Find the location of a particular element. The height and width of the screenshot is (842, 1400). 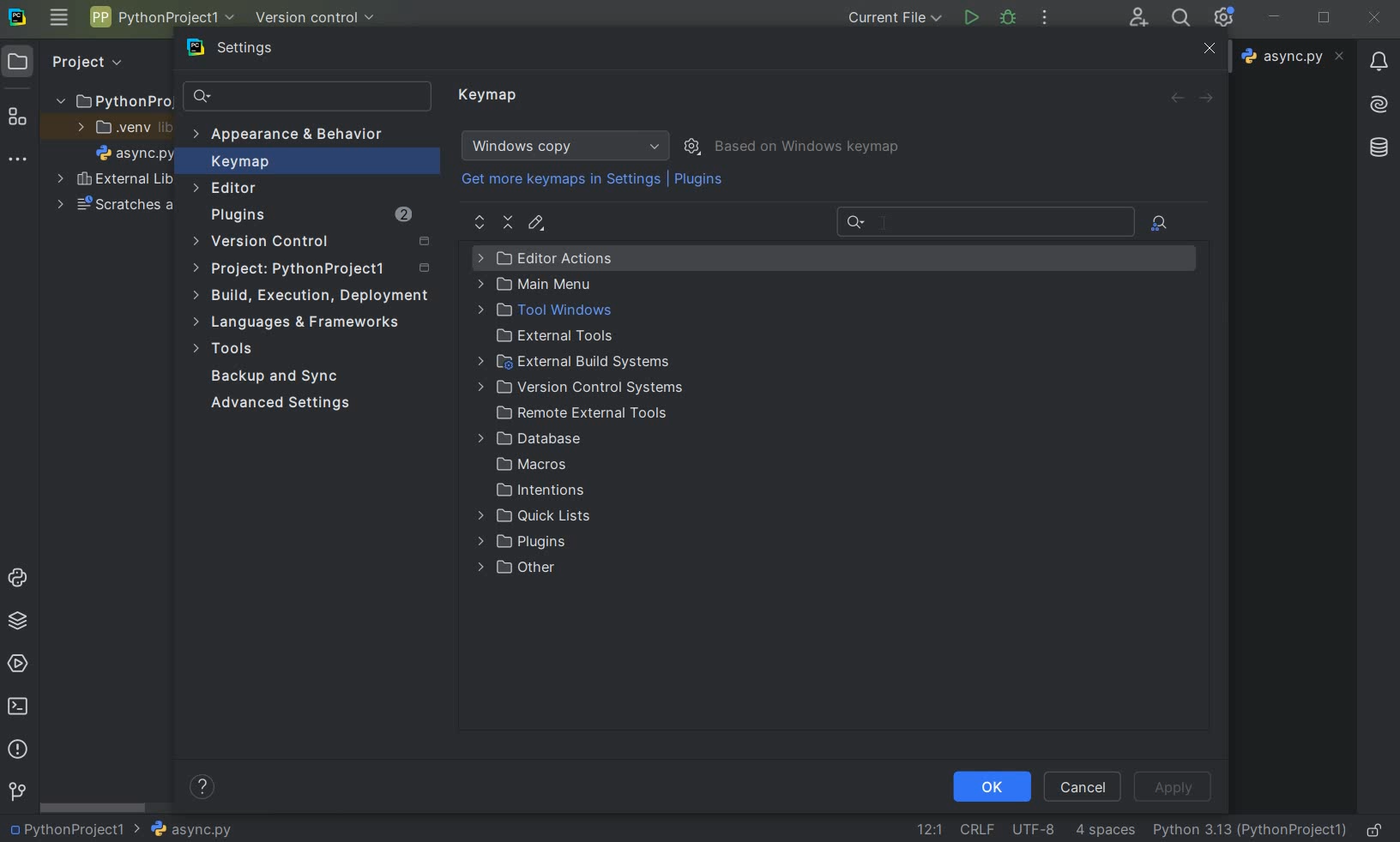

cancel is located at coordinates (1083, 785).